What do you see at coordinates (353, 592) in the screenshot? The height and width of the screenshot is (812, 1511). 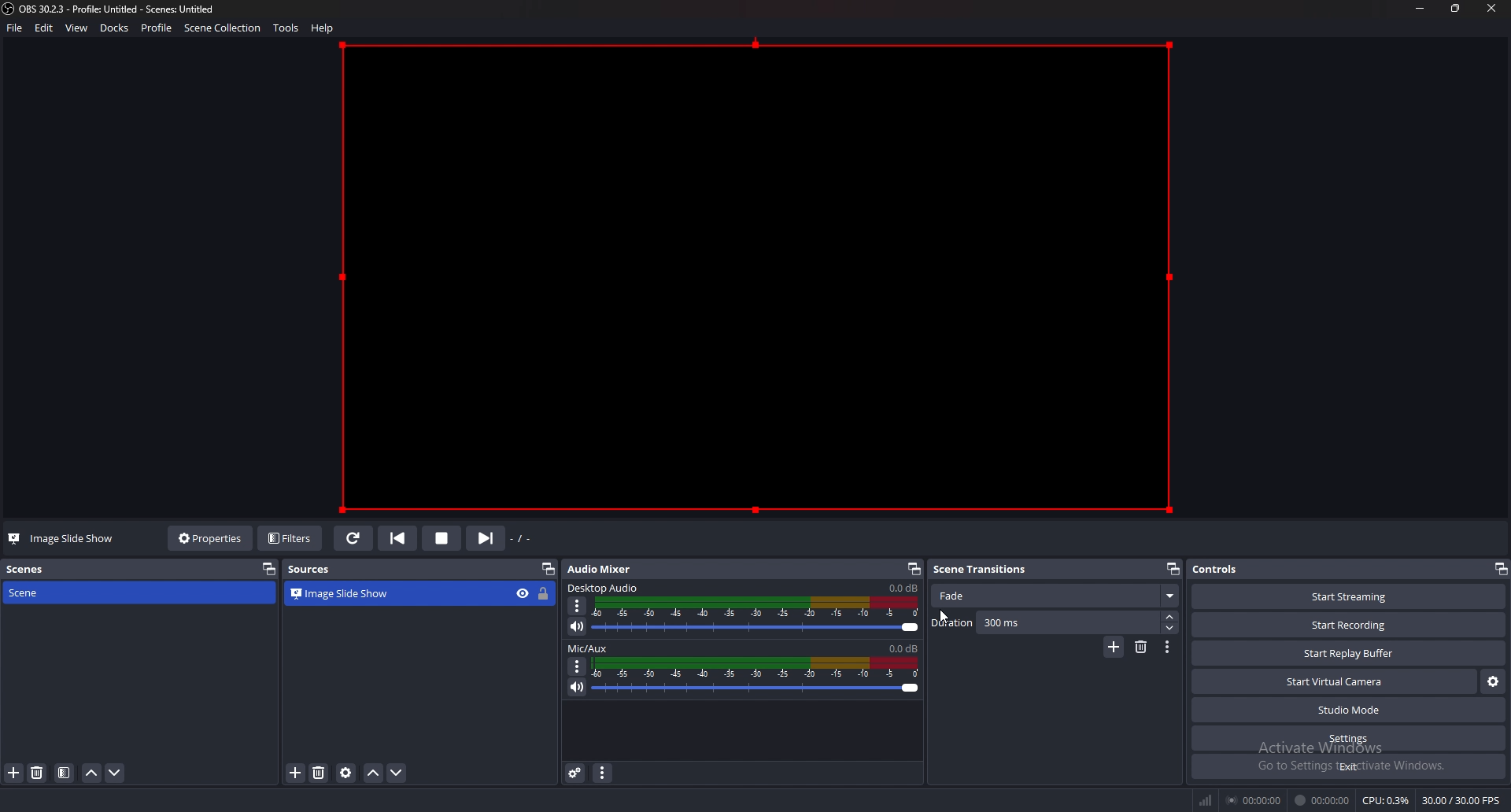 I see `image slide show` at bounding box center [353, 592].